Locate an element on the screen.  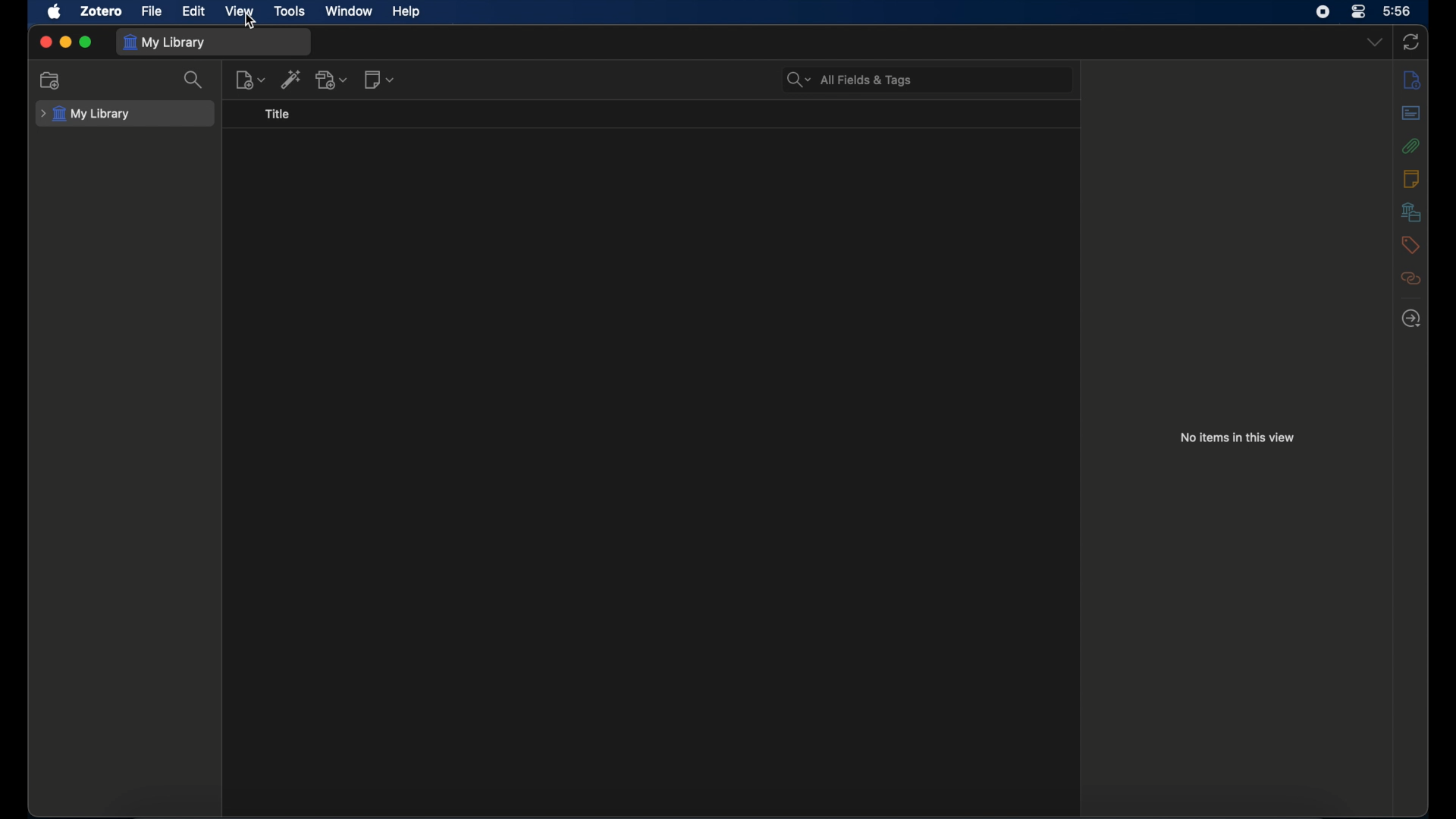
new collection is located at coordinates (51, 81).